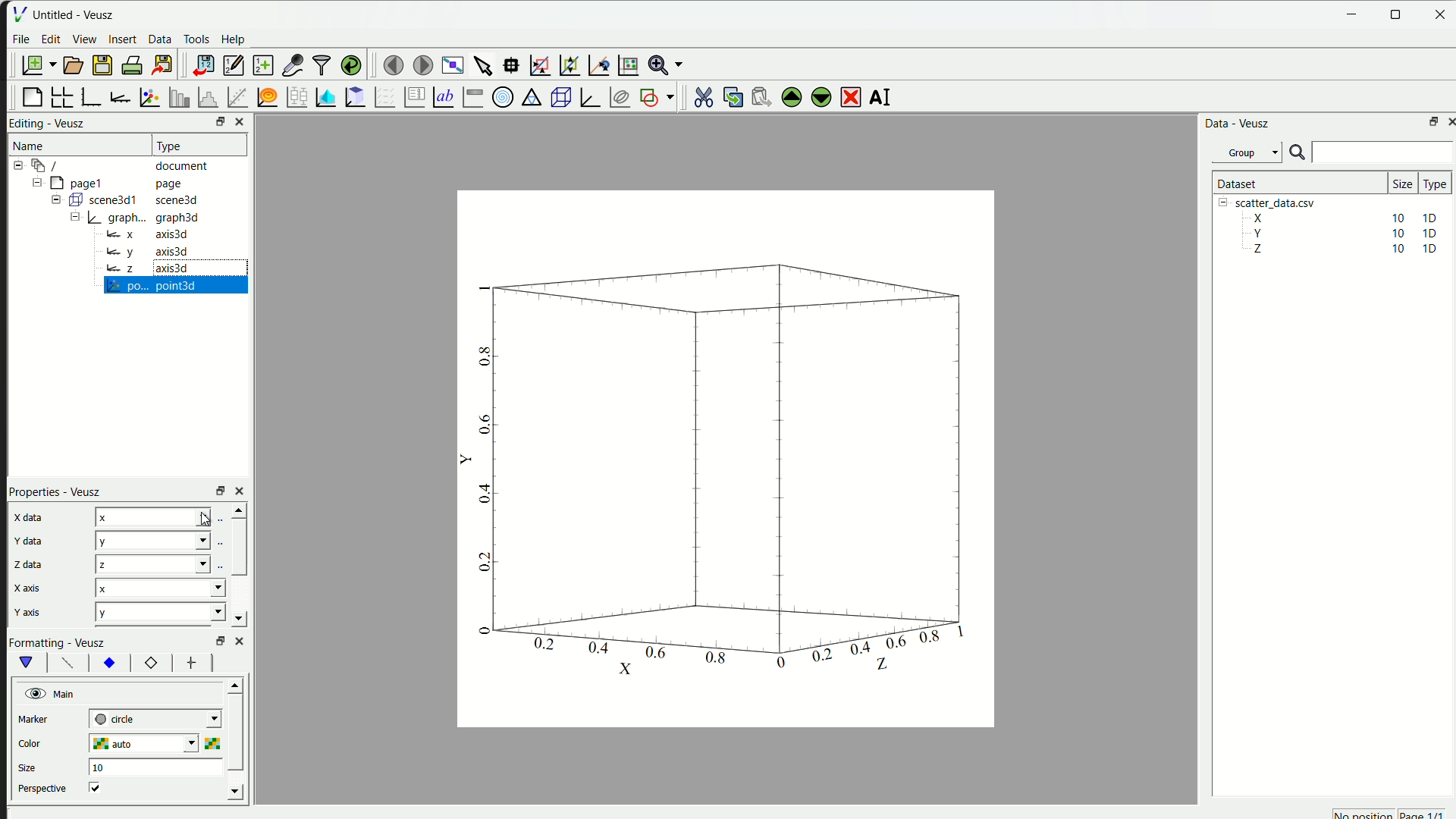 Image resolution: width=1456 pixels, height=819 pixels. I want to click on Veusz, so click(71, 122).